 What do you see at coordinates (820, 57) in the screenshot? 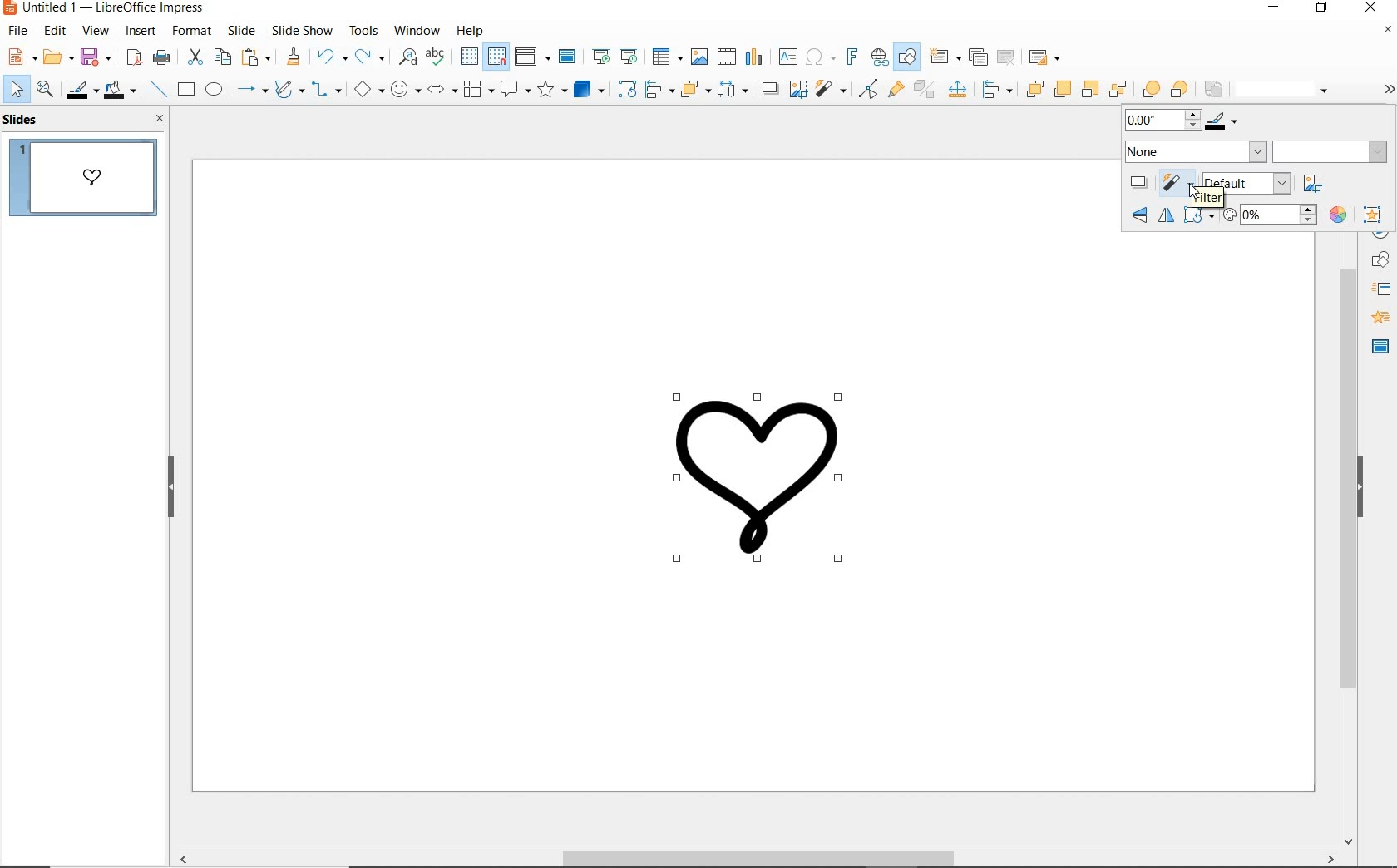
I see `insert special character` at bounding box center [820, 57].